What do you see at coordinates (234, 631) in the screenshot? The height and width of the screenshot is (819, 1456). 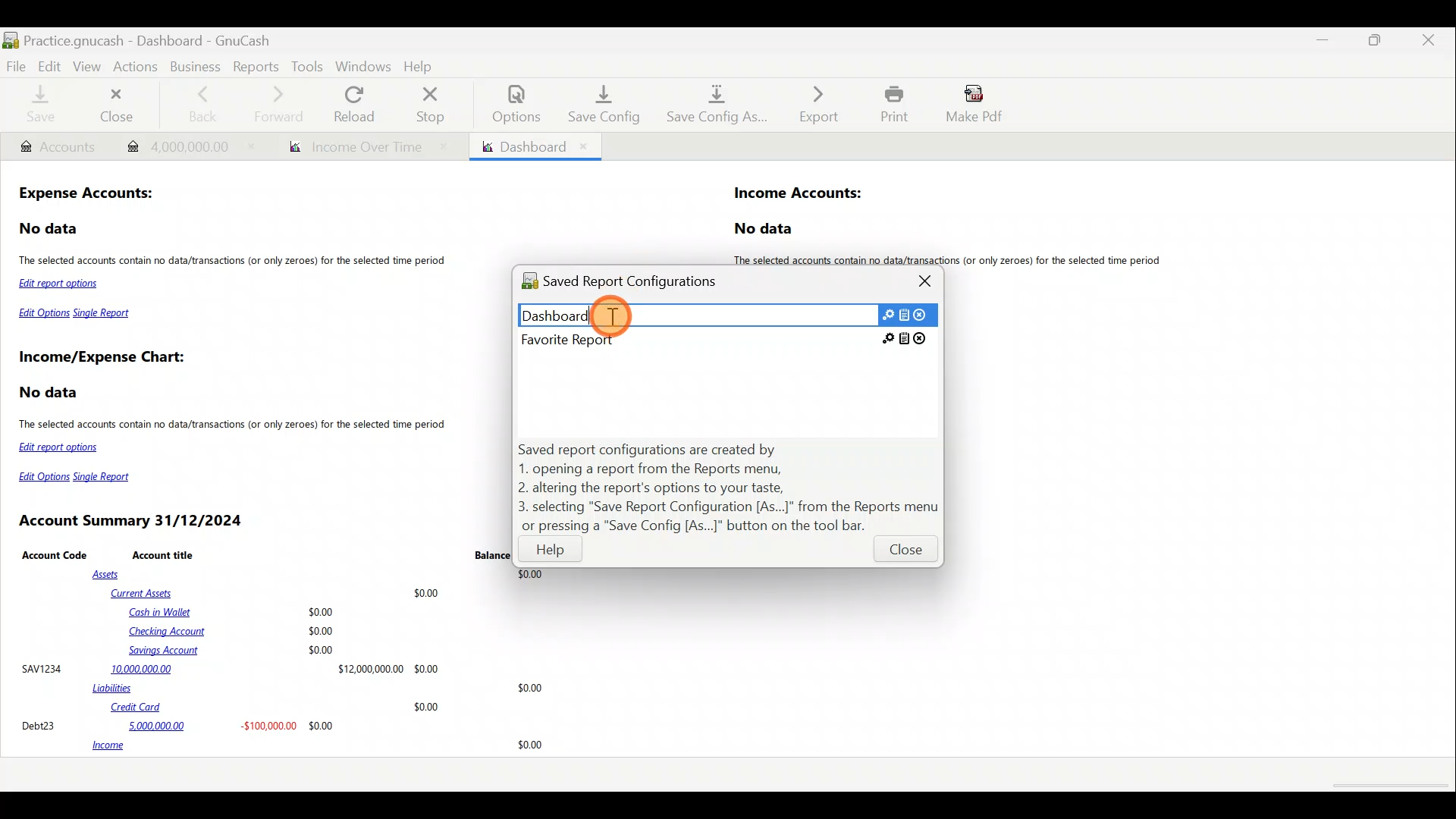 I see `Cash in Wallet $0.00
Checking Account $0.00
Savings Account $0.00` at bounding box center [234, 631].